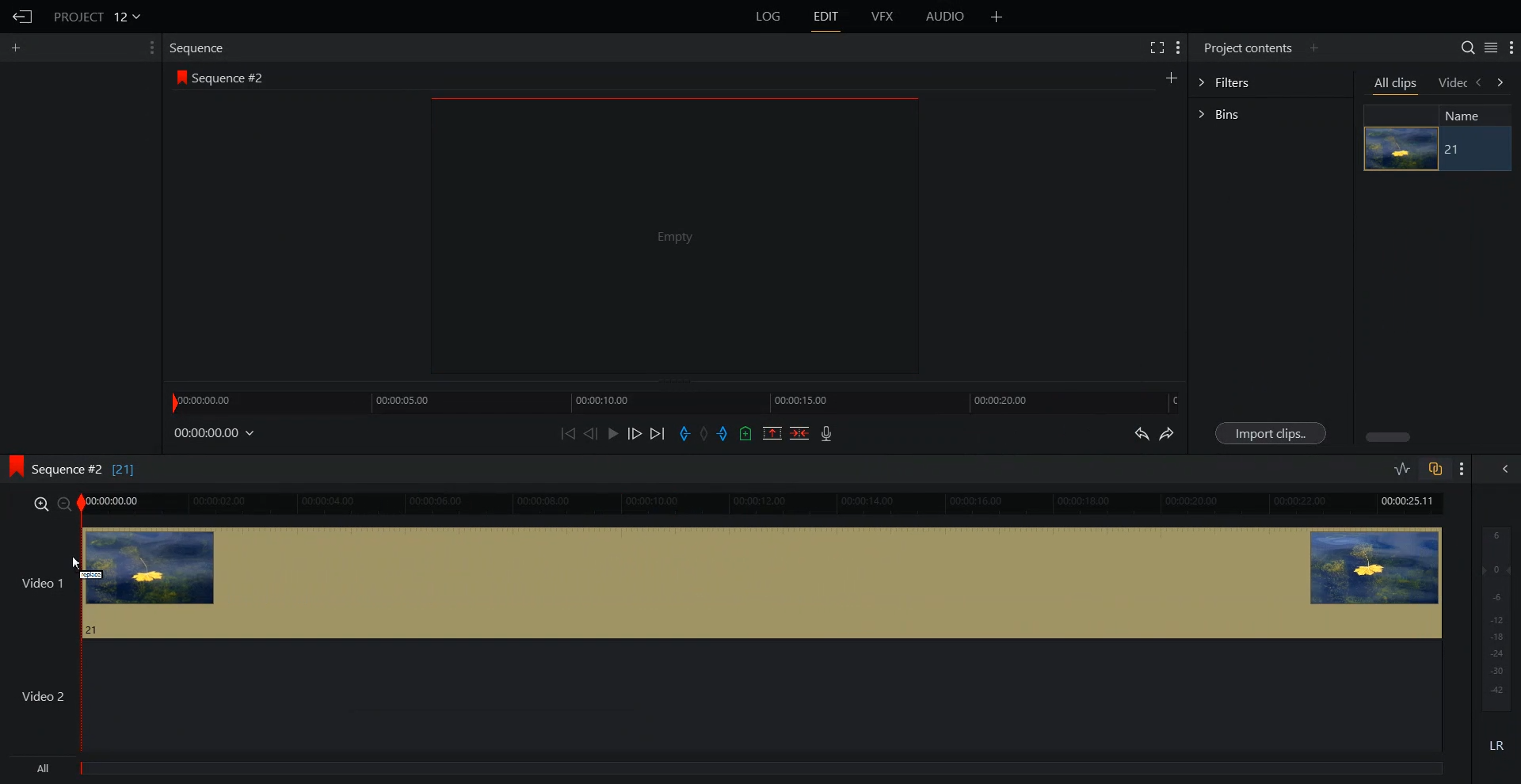  What do you see at coordinates (99, 16) in the screenshot?
I see `File Name` at bounding box center [99, 16].